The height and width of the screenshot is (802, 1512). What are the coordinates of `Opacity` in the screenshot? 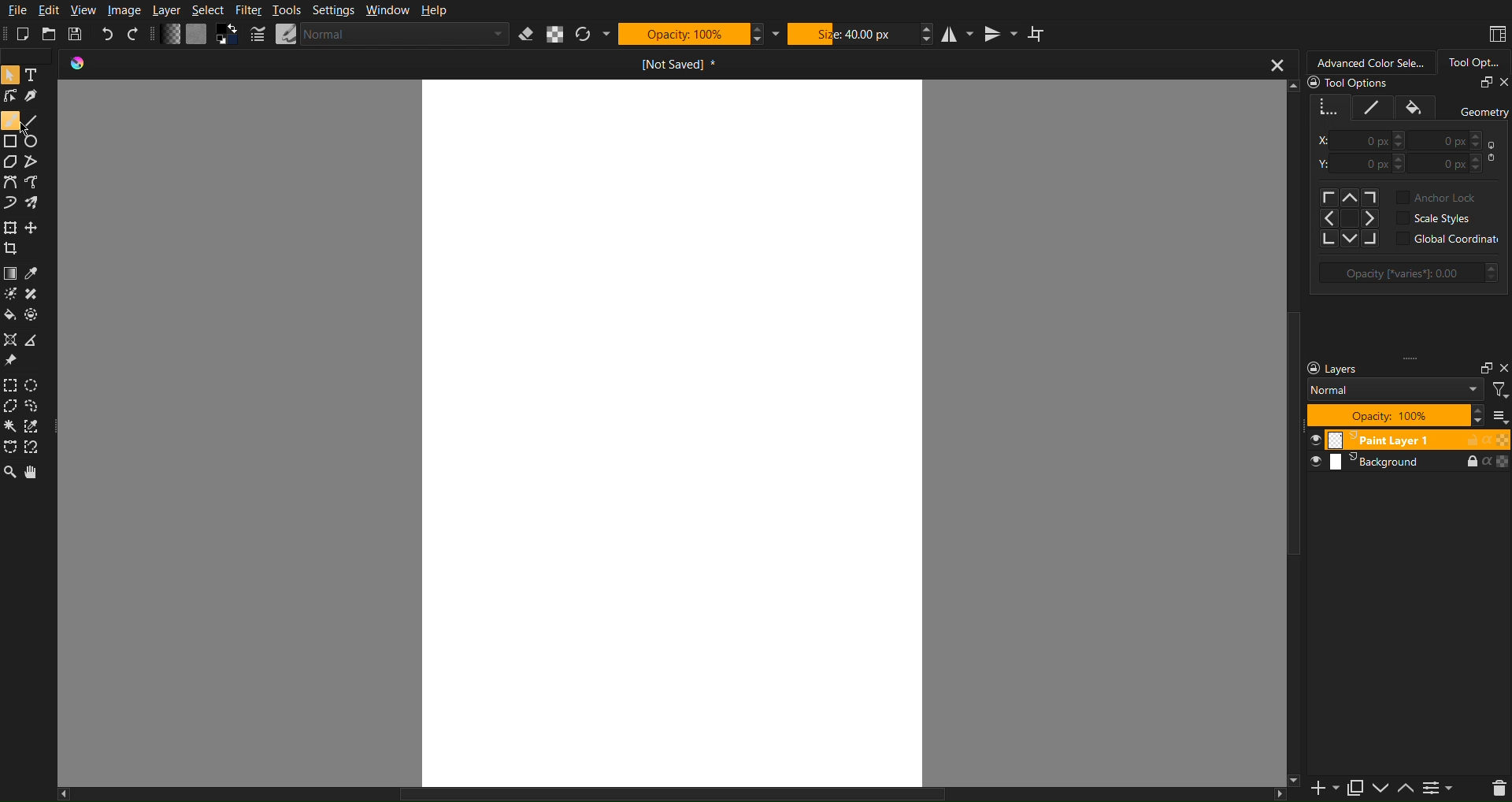 It's located at (682, 35).